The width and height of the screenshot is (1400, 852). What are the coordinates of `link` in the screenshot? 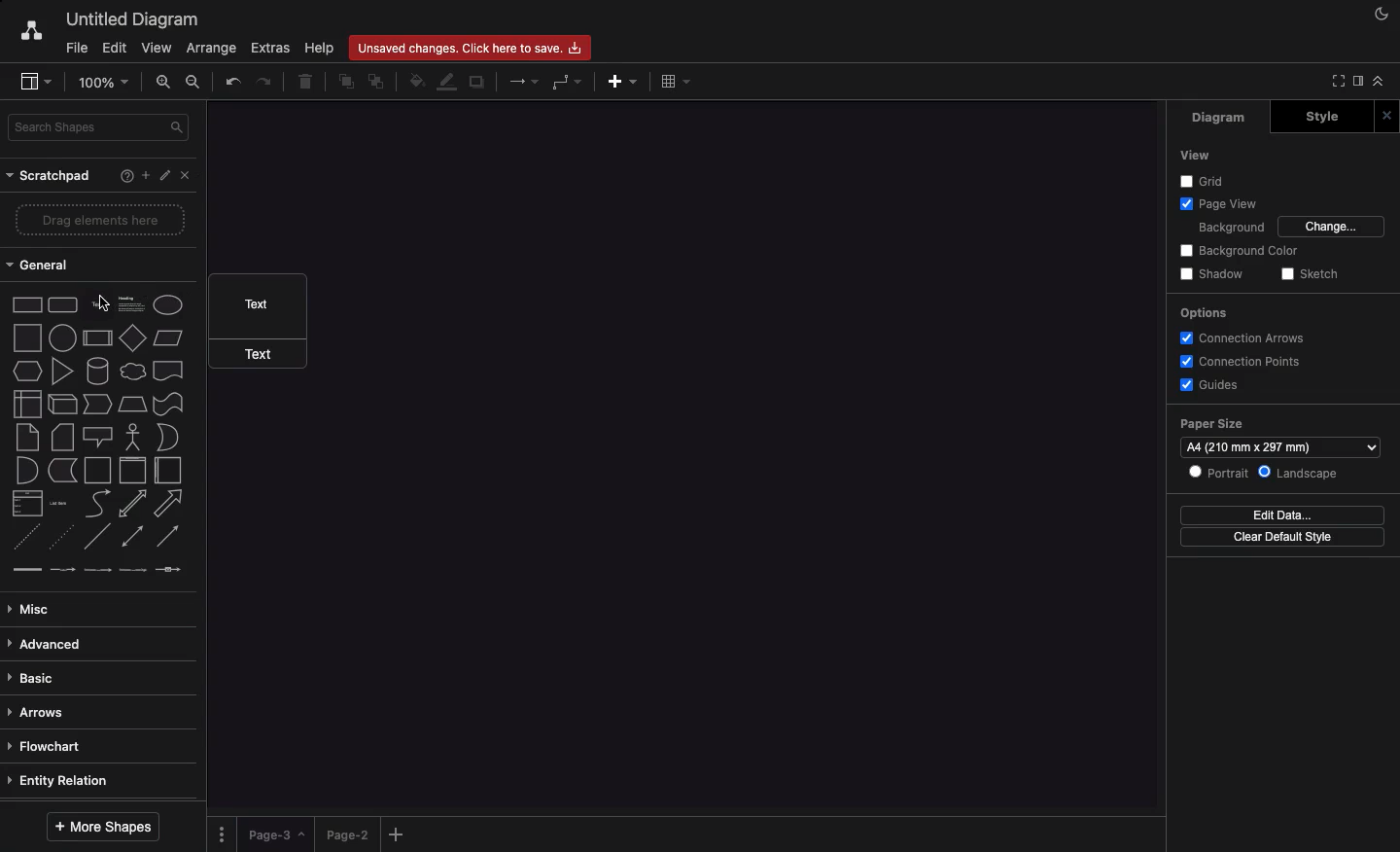 It's located at (26, 569).